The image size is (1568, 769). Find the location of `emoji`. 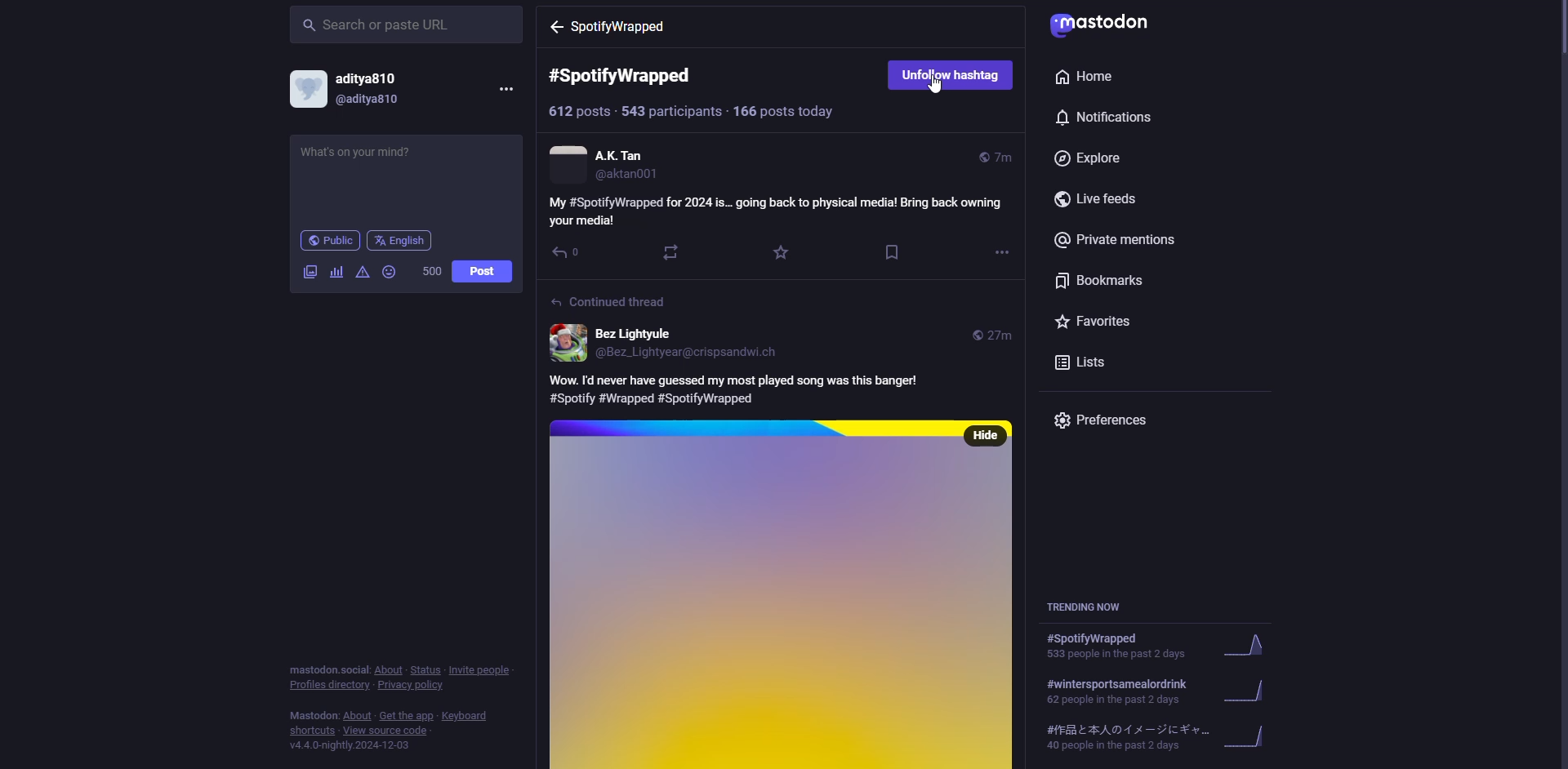

emoji is located at coordinates (389, 272).